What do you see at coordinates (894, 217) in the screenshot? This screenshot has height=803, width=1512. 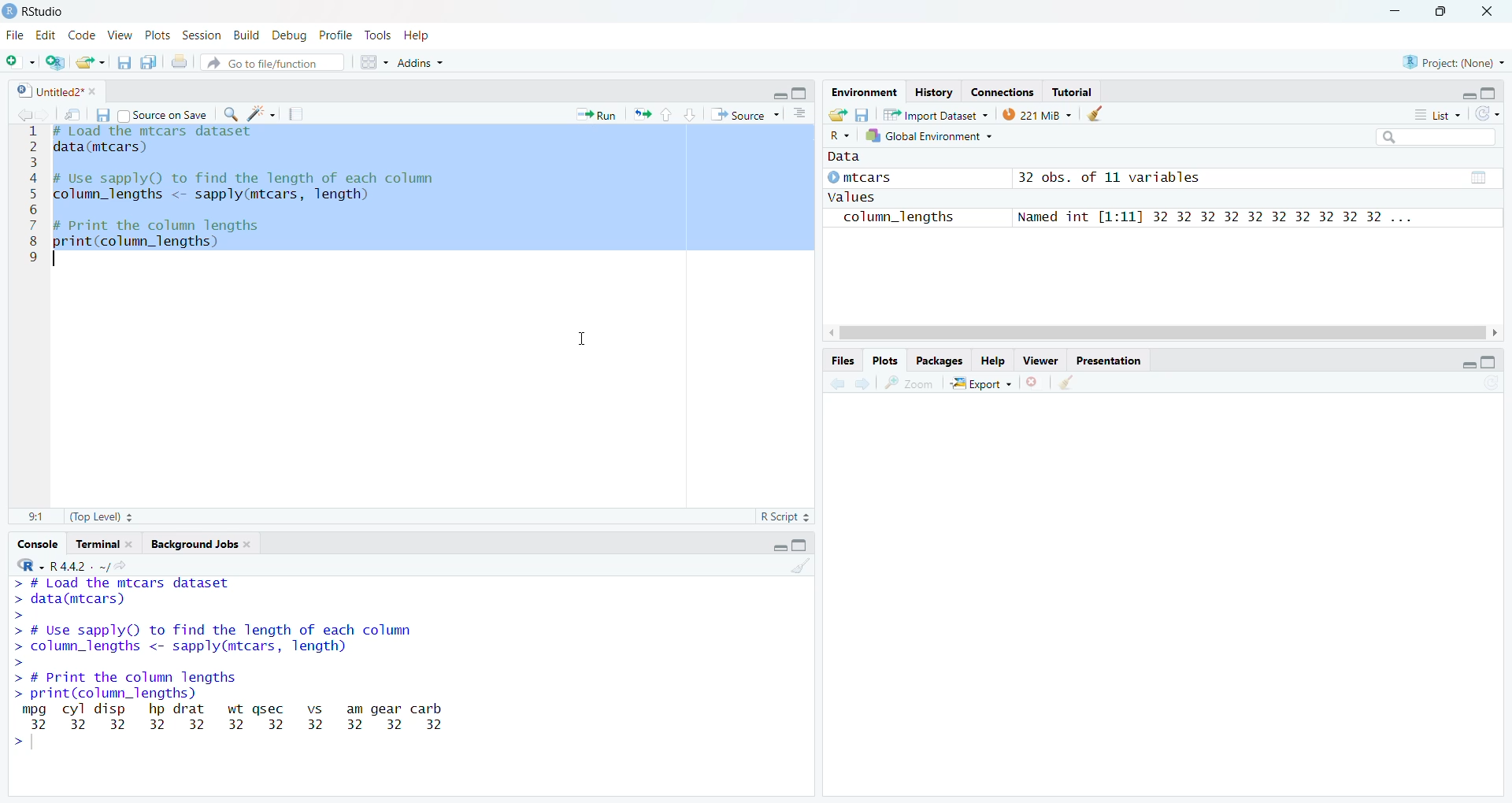 I see `column_lengths` at bounding box center [894, 217].